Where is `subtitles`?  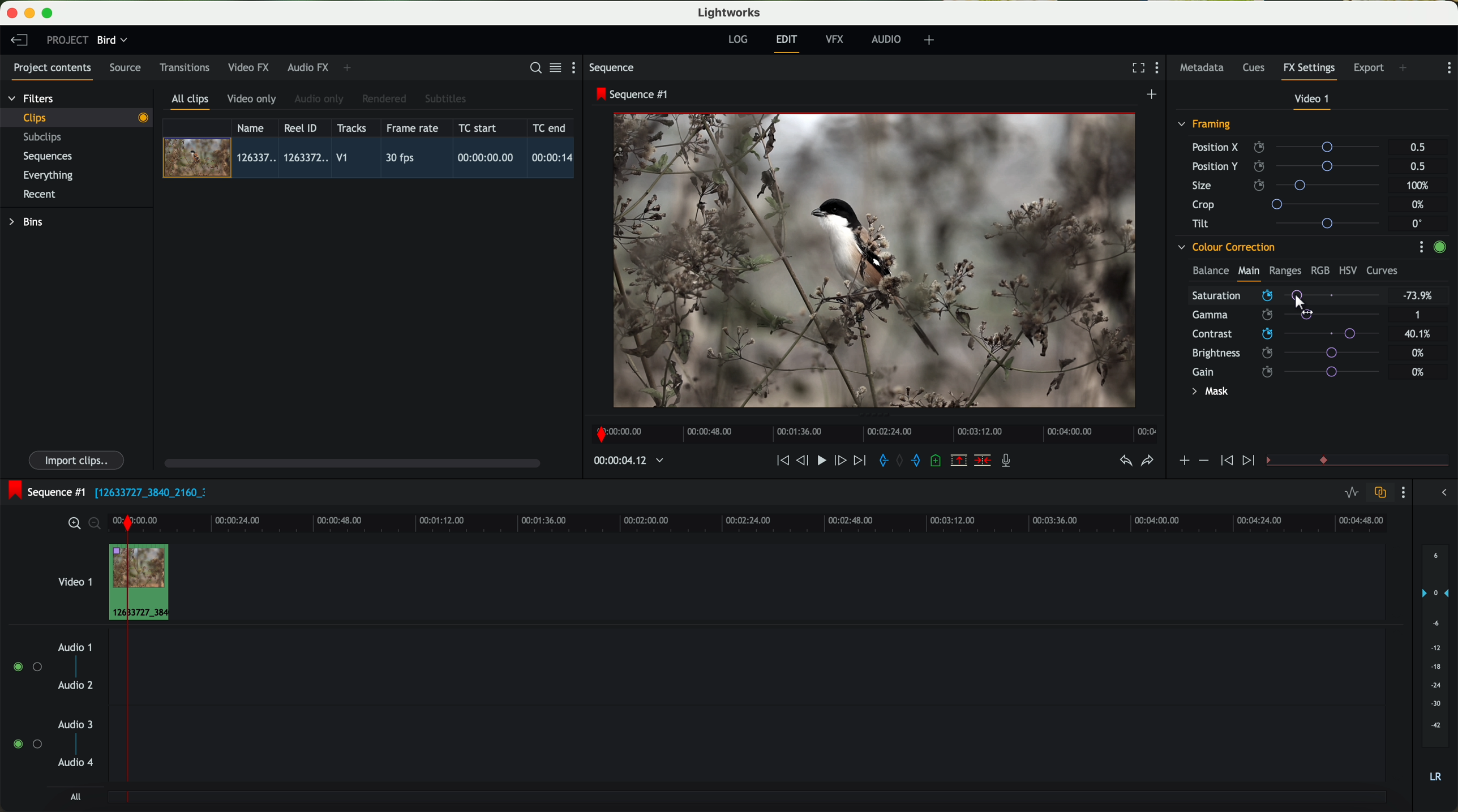
subtitles is located at coordinates (444, 99).